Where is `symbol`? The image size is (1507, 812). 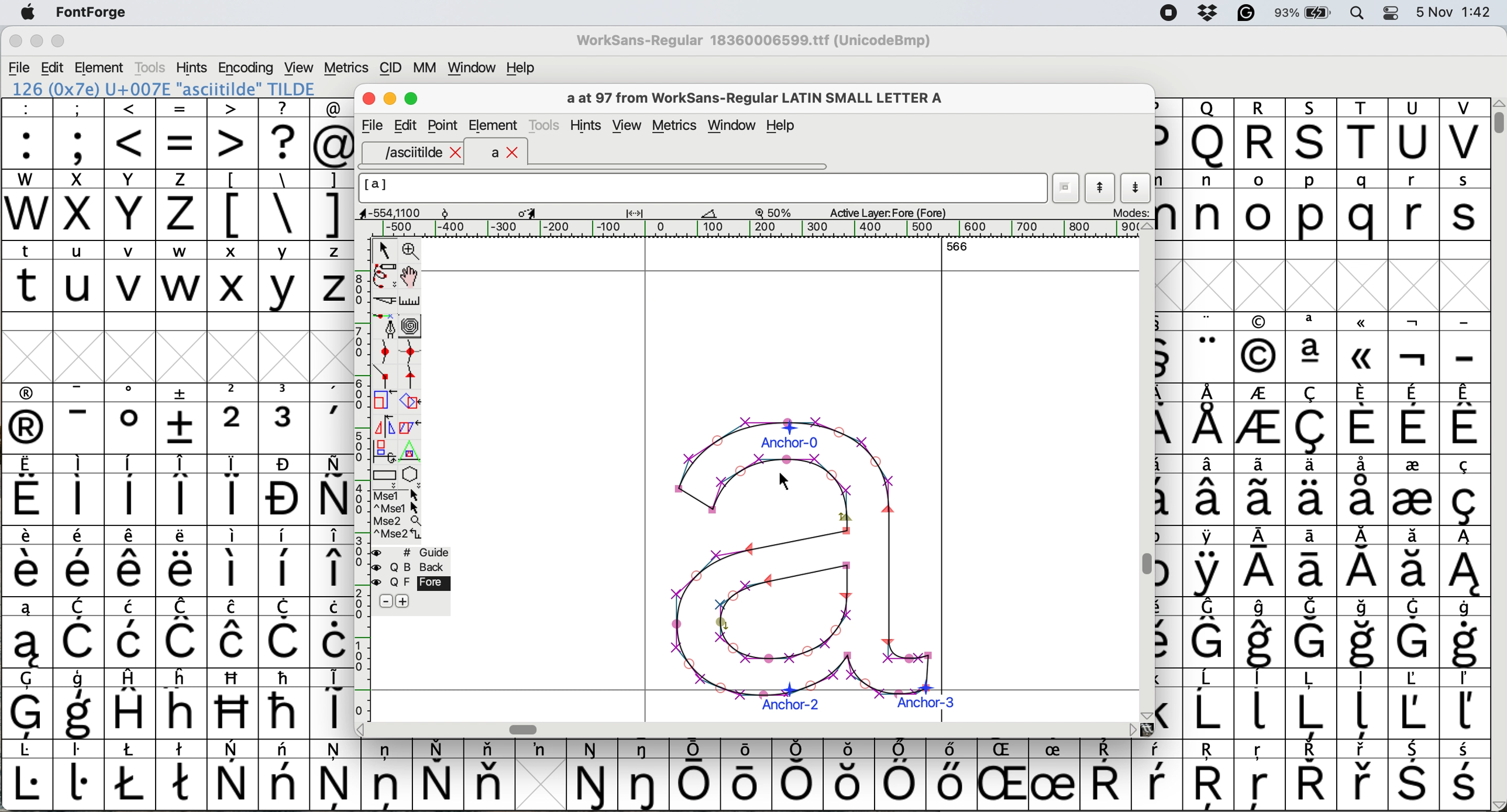
symbol is located at coordinates (387, 773).